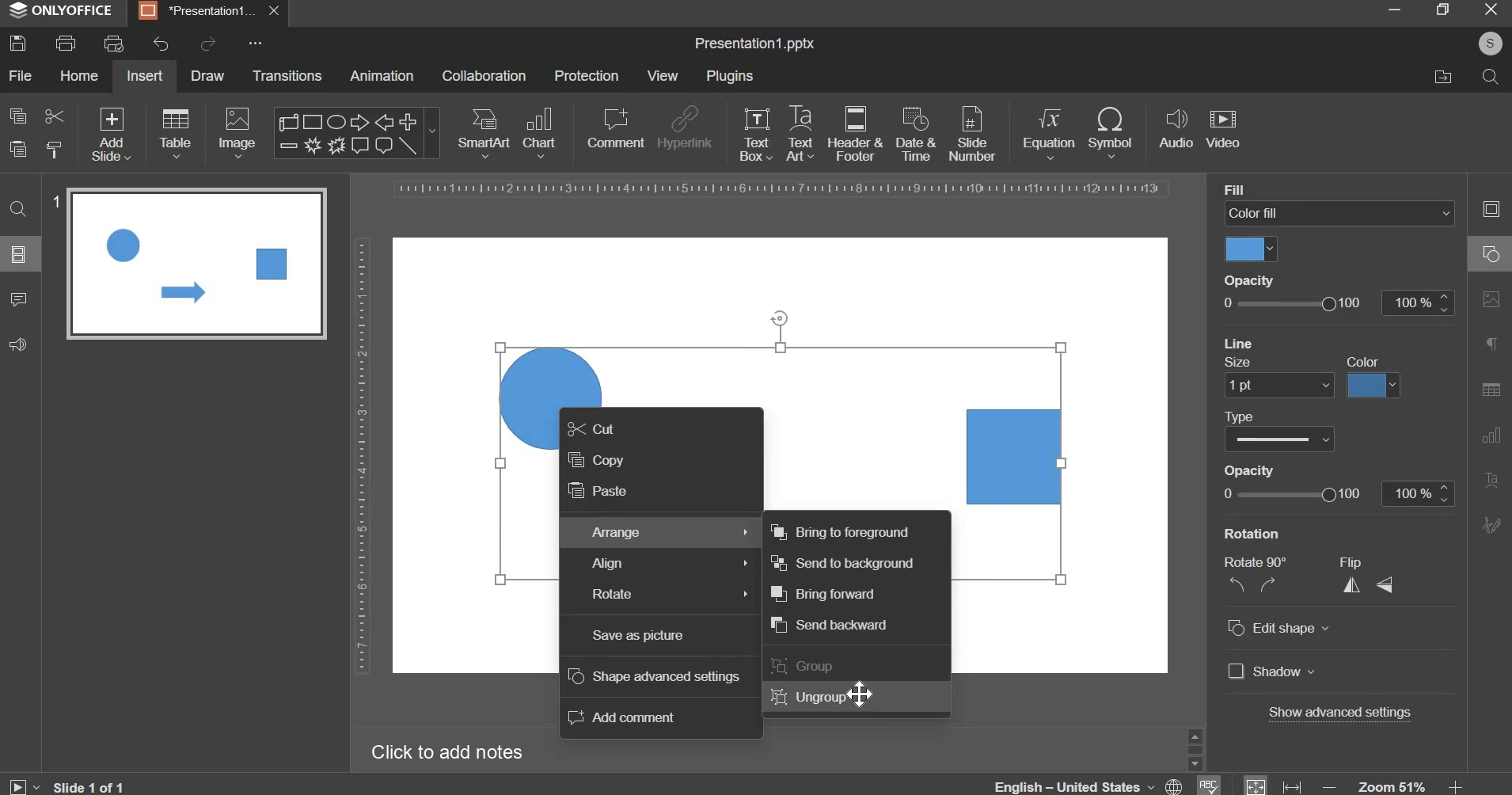 Image resolution: width=1512 pixels, height=795 pixels. Describe the element at coordinates (971, 132) in the screenshot. I see `slide number` at that location.